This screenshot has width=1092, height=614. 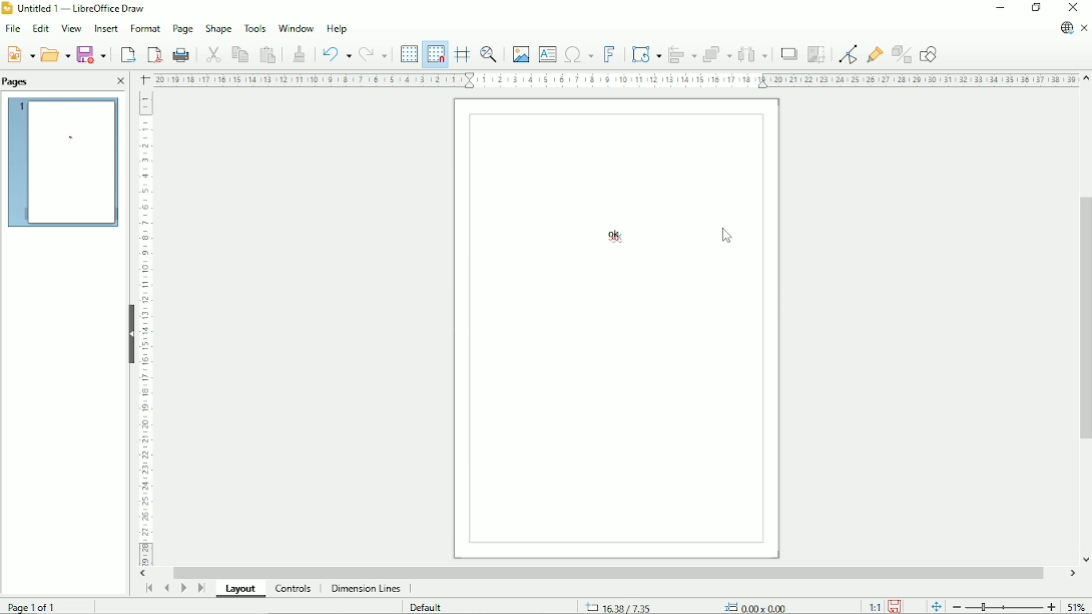 What do you see at coordinates (152, 54) in the screenshot?
I see `Export directly as PDF` at bounding box center [152, 54].